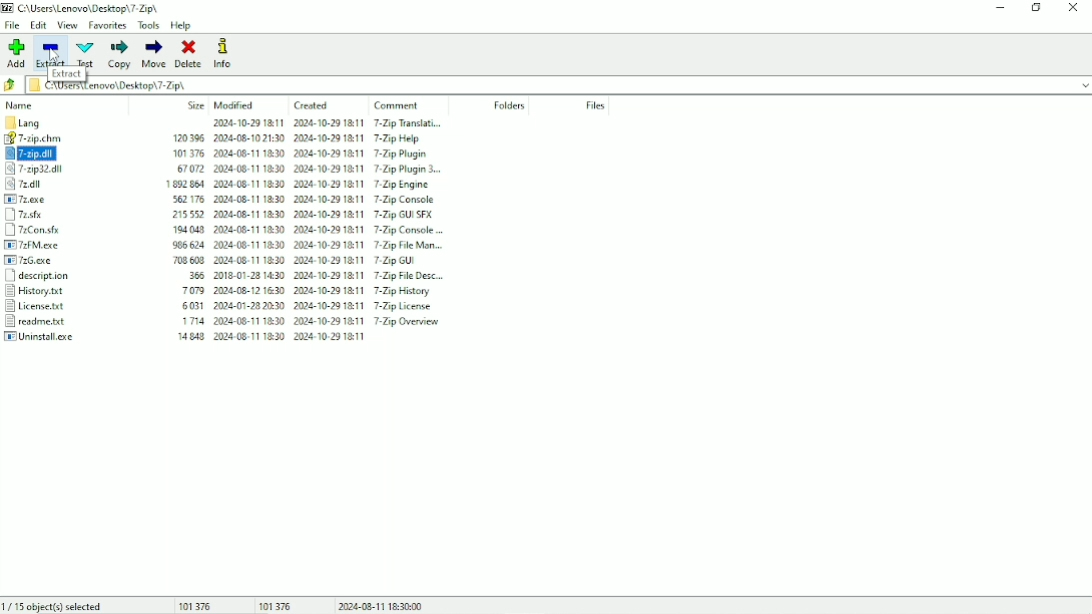  Describe the element at coordinates (15, 53) in the screenshot. I see `Add` at that location.